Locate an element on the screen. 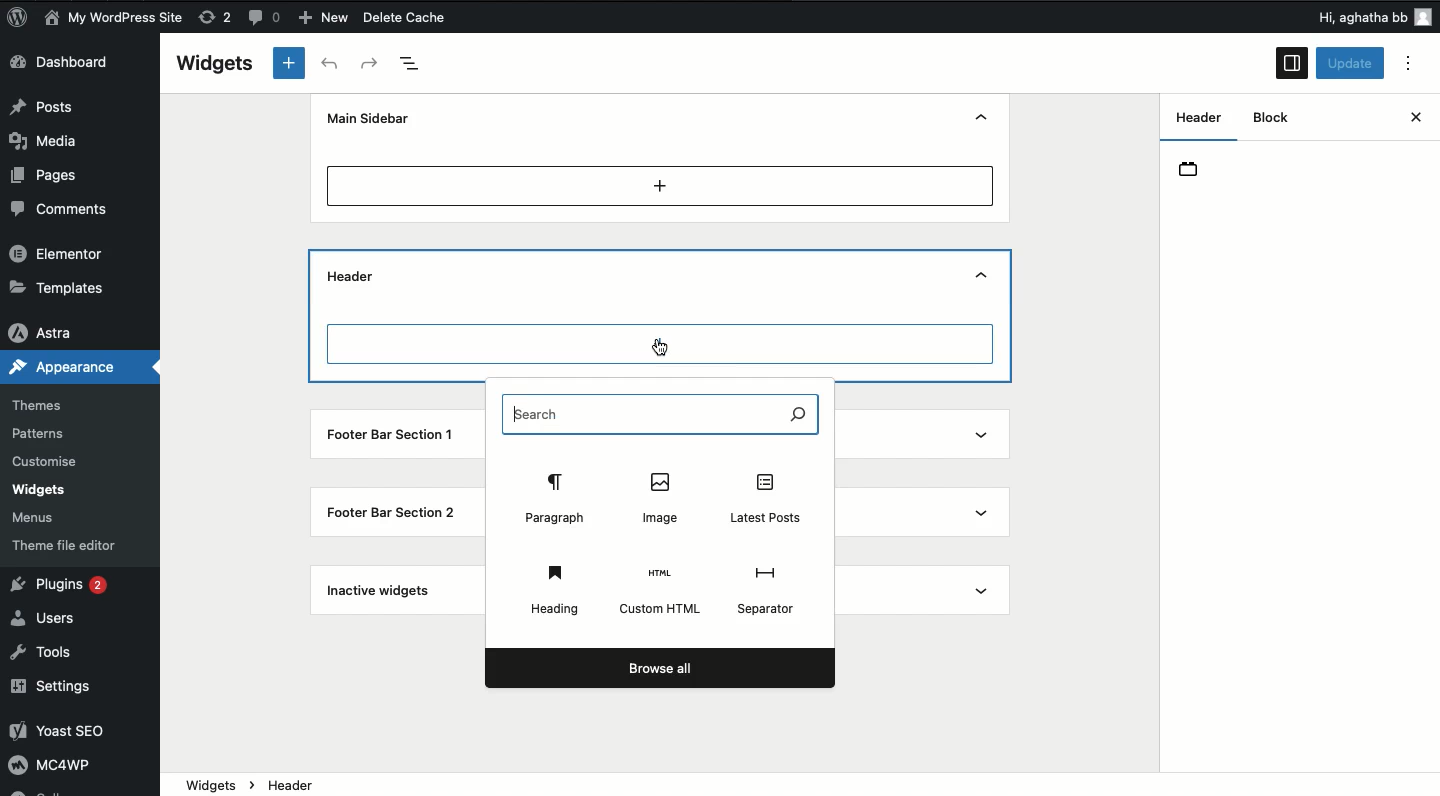 The width and height of the screenshot is (1440, 796). Widget areas is located at coordinates (1192, 124).